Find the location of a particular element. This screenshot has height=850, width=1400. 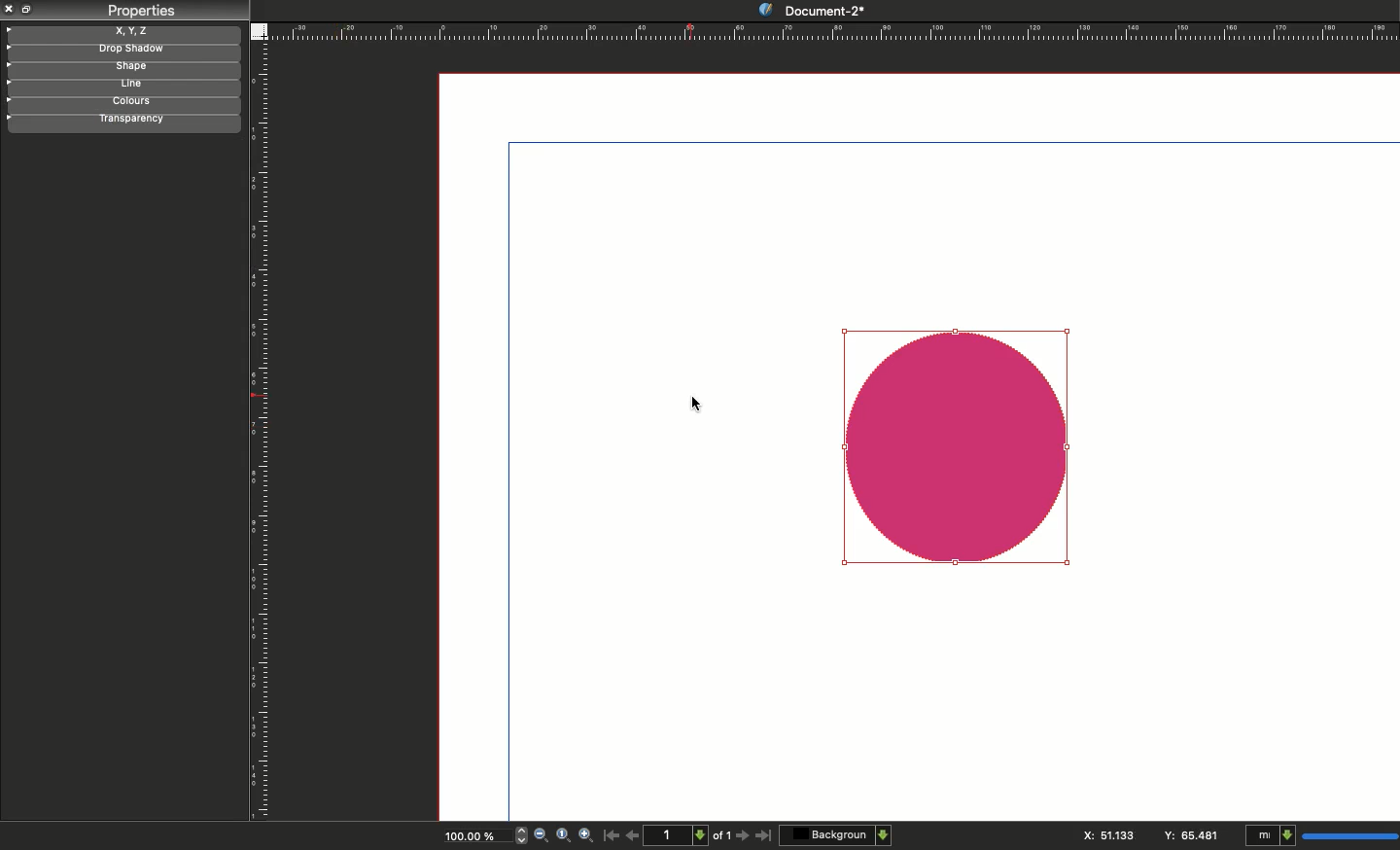

100.00% is located at coordinates (468, 838).